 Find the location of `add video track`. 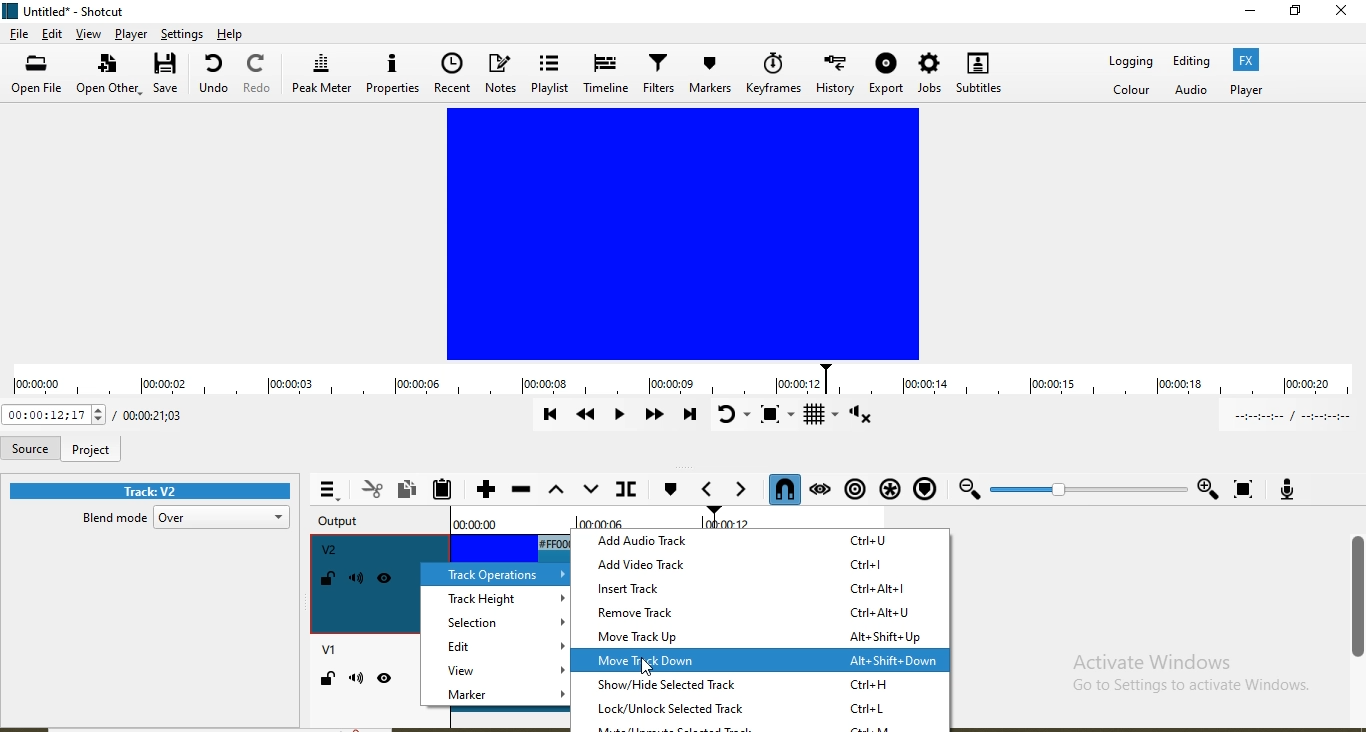

add video track is located at coordinates (761, 563).